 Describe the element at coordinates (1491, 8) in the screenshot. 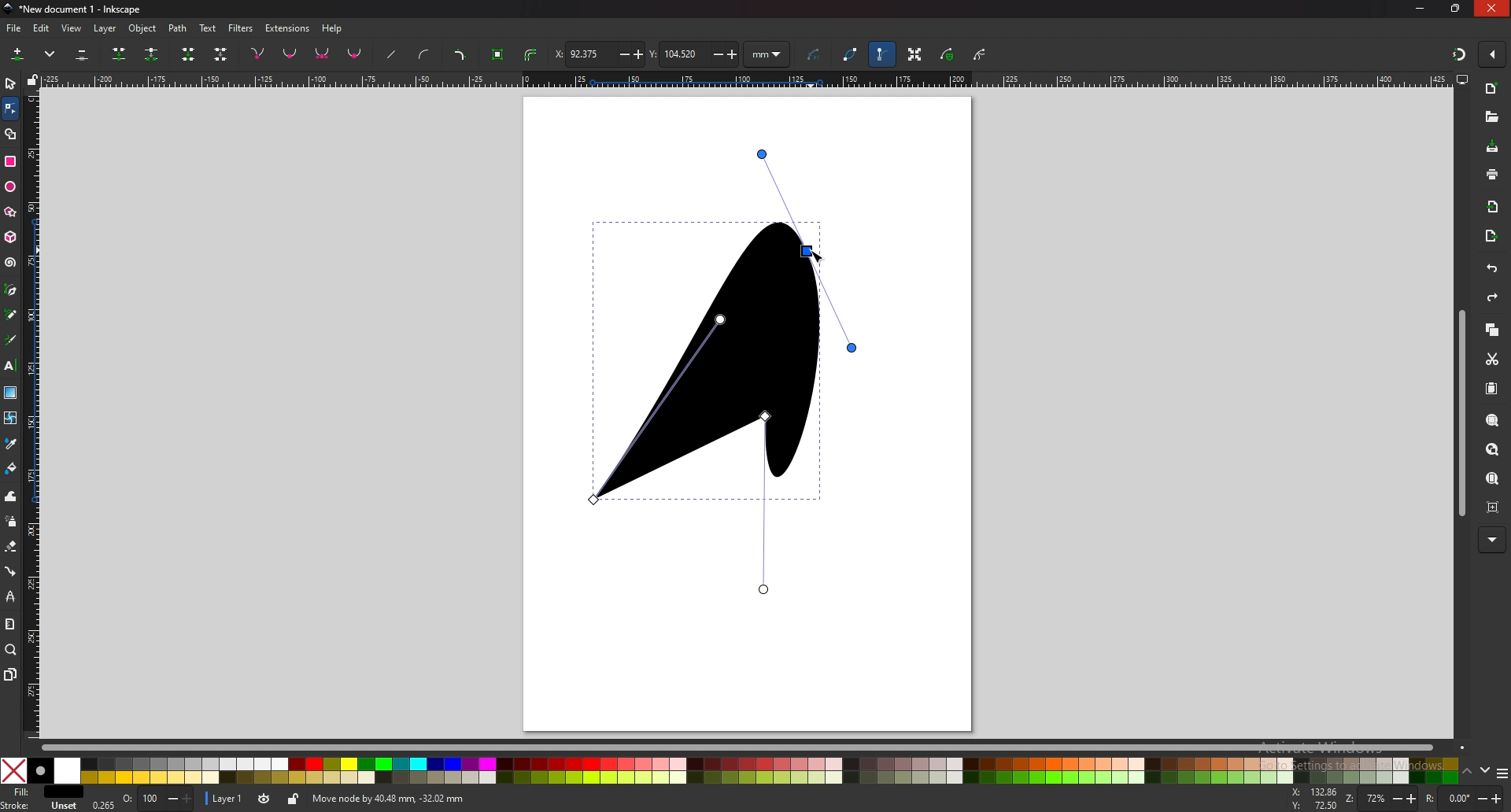

I see `close` at that location.